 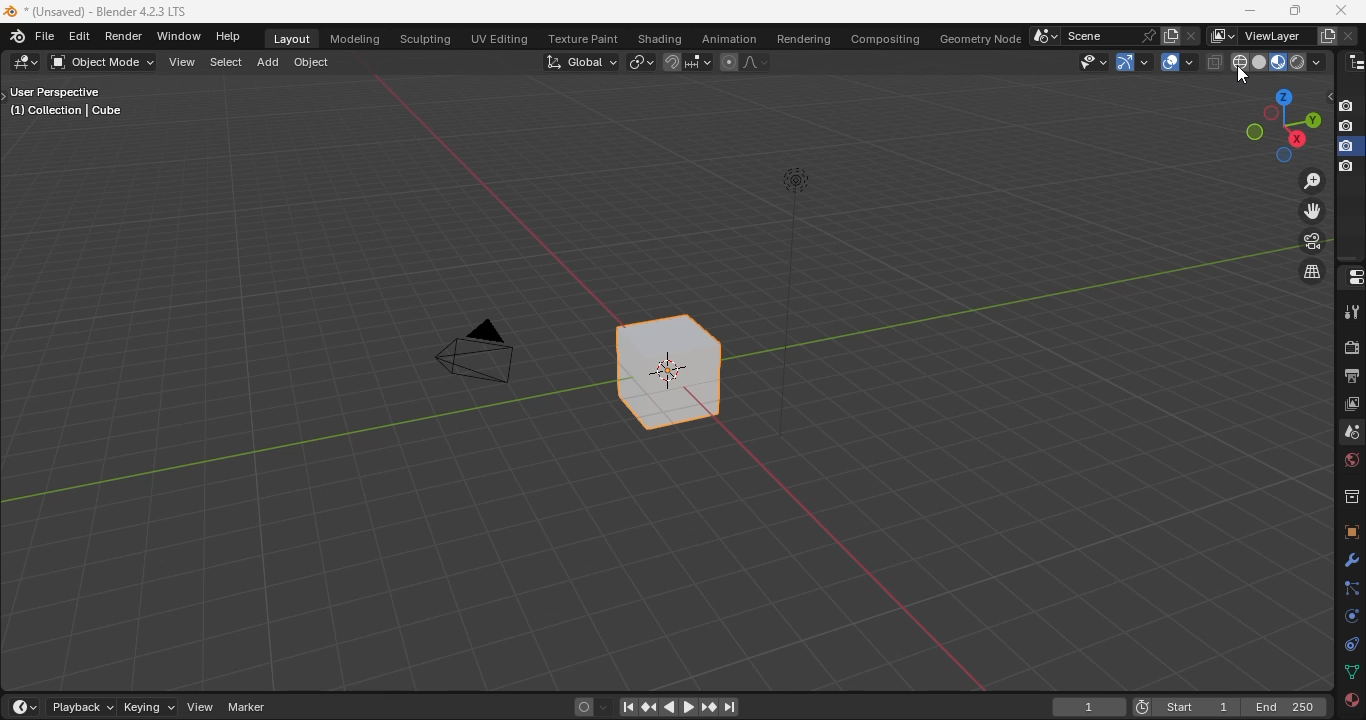 I want to click on use preview range, so click(x=1141, y=704).